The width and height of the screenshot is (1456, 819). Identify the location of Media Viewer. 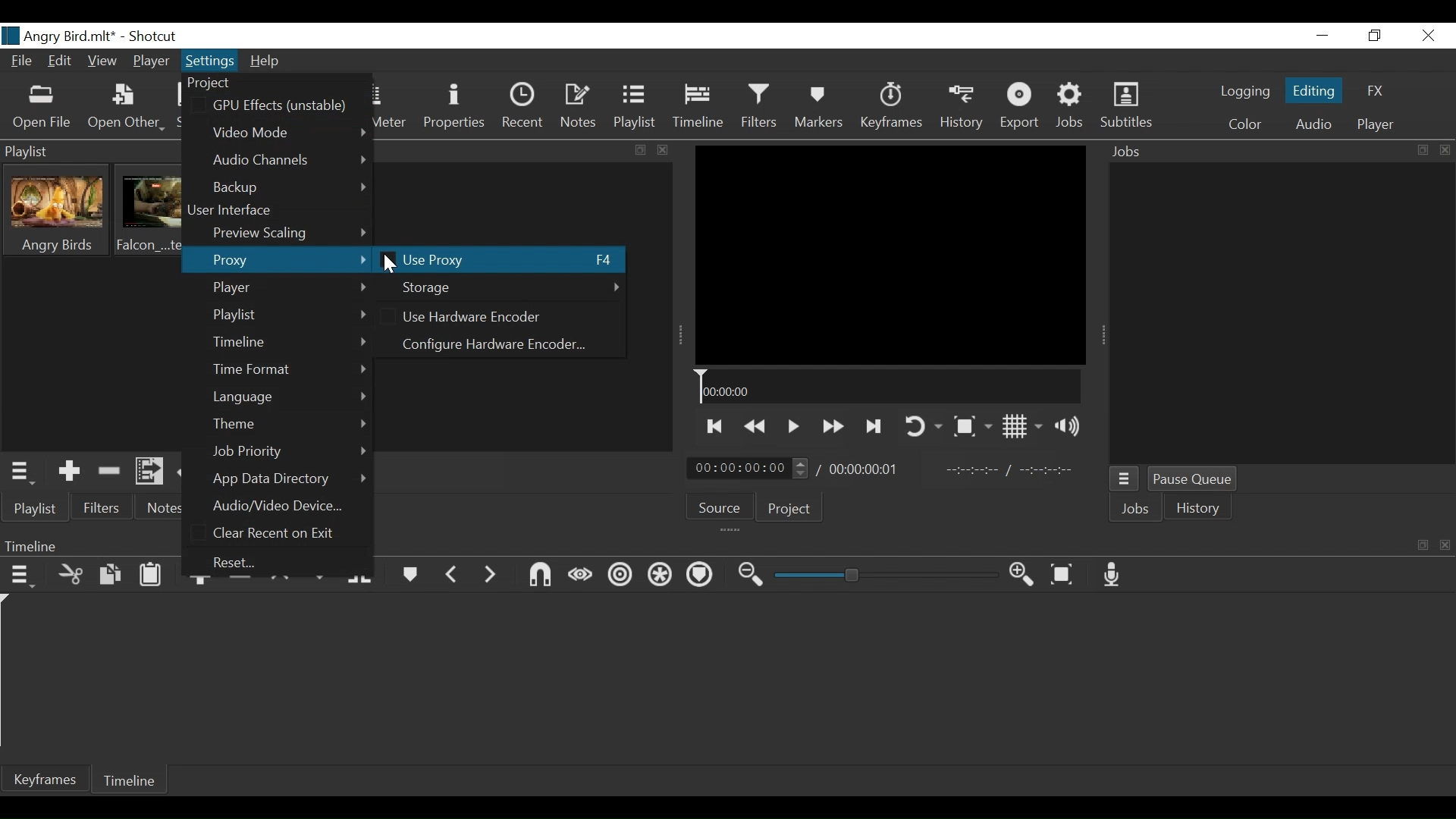
(890, 255).